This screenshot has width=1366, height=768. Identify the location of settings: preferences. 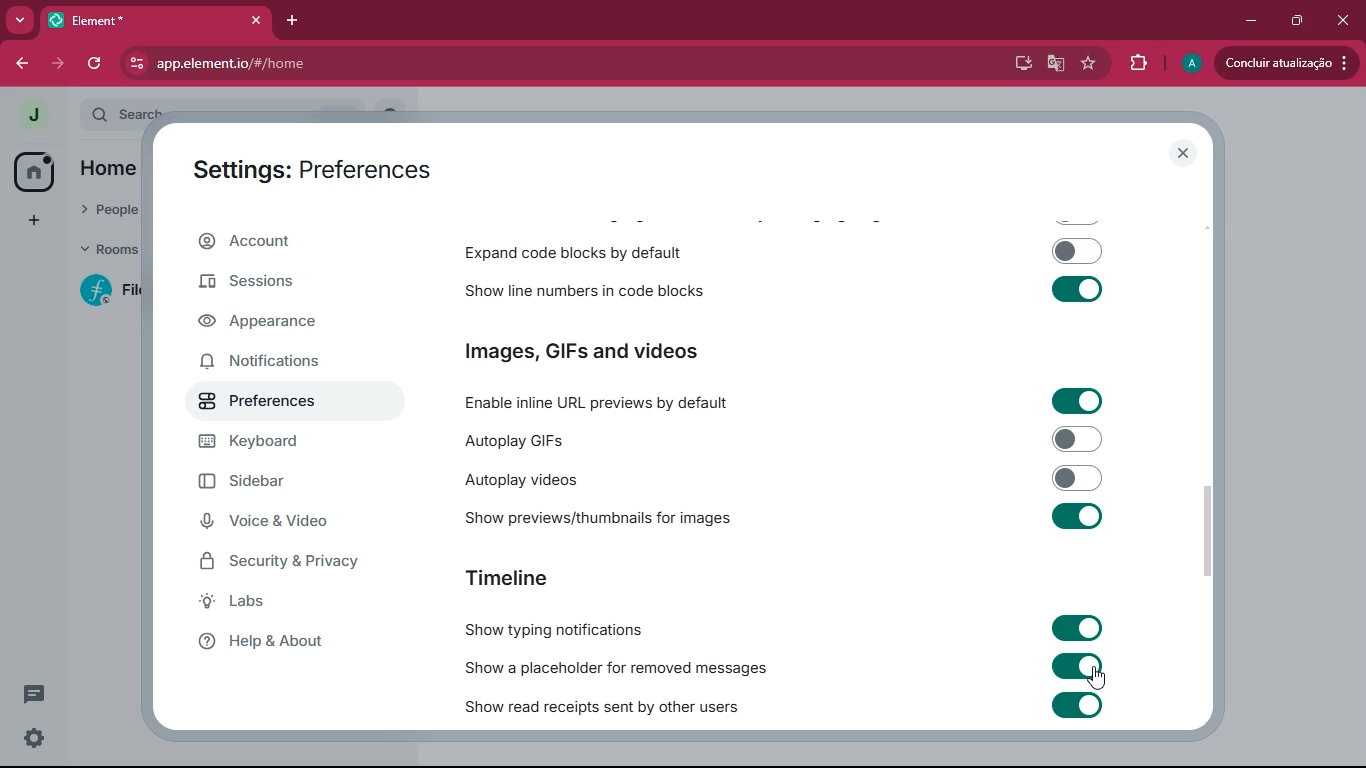
(310, 166).